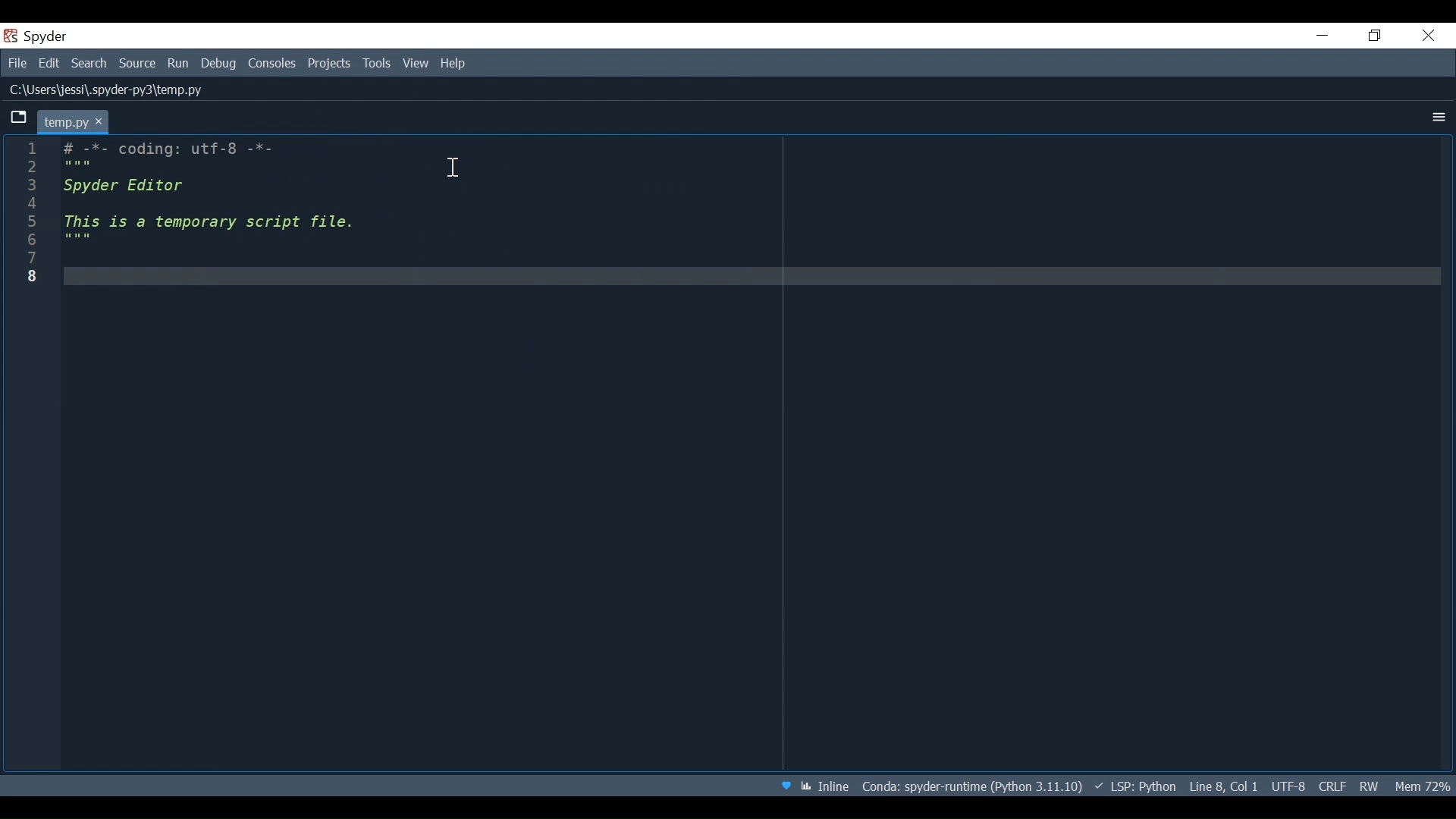 The width and height of the screenshot is (1456, 819). Describe the element at coordinates (1437, 117) in the screenshot. I see `More Options` at that location.